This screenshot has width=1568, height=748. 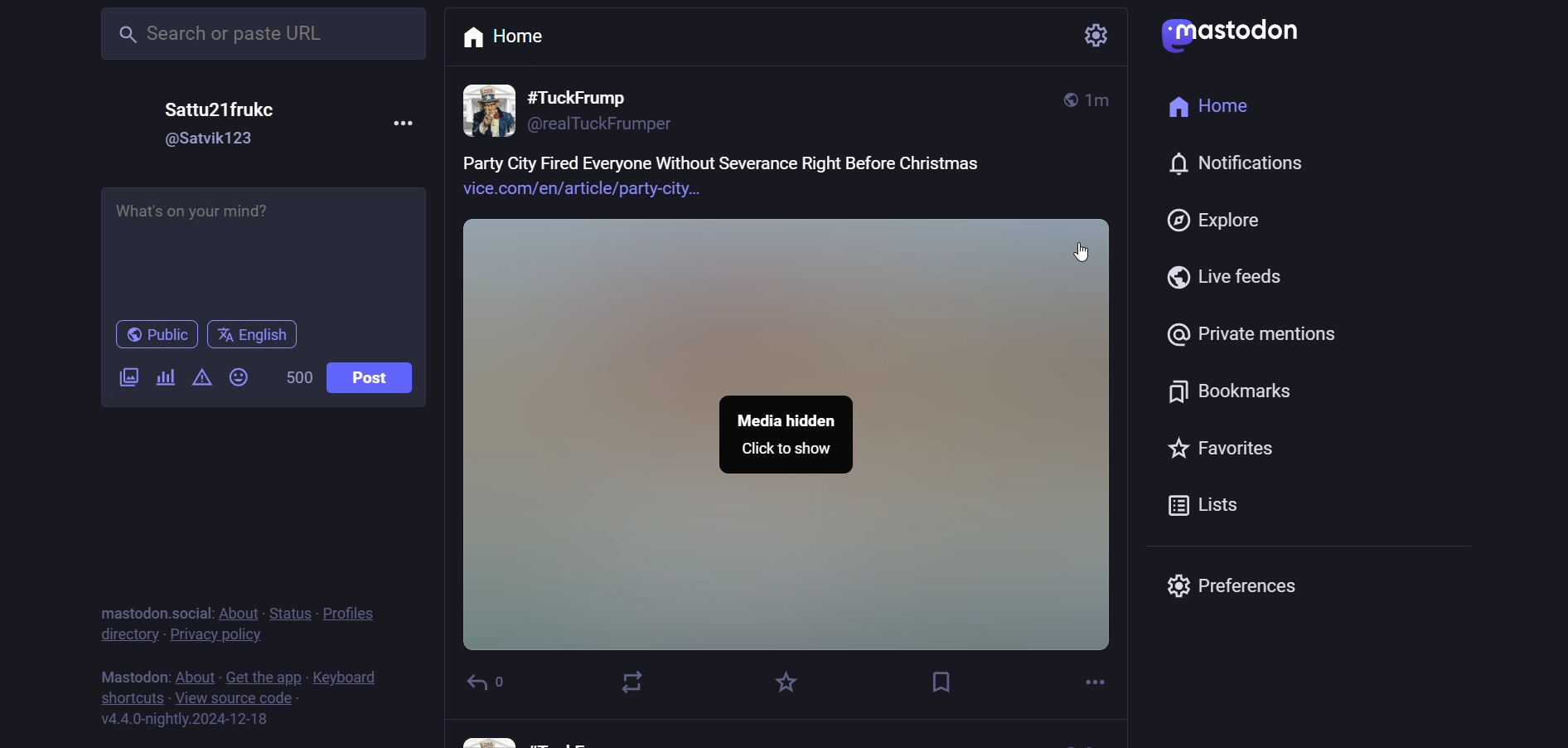 What do you see at coordinates (1225, 391) in the screenshot?
I see `Bookmarks` at bounding box center [1225, 391].